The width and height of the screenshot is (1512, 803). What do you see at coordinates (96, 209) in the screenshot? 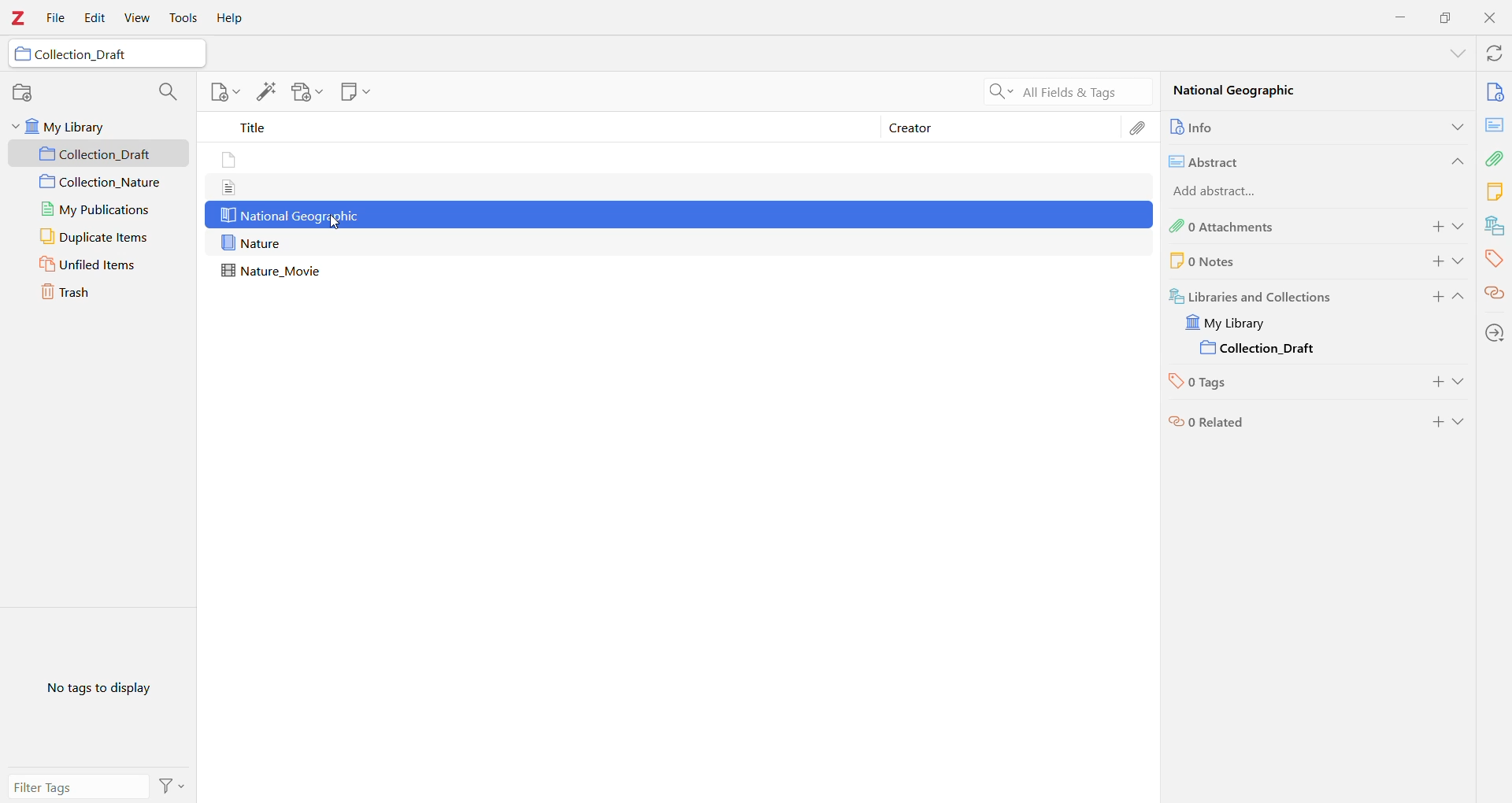
I see `My Publications` at bounding box center [96, 209].